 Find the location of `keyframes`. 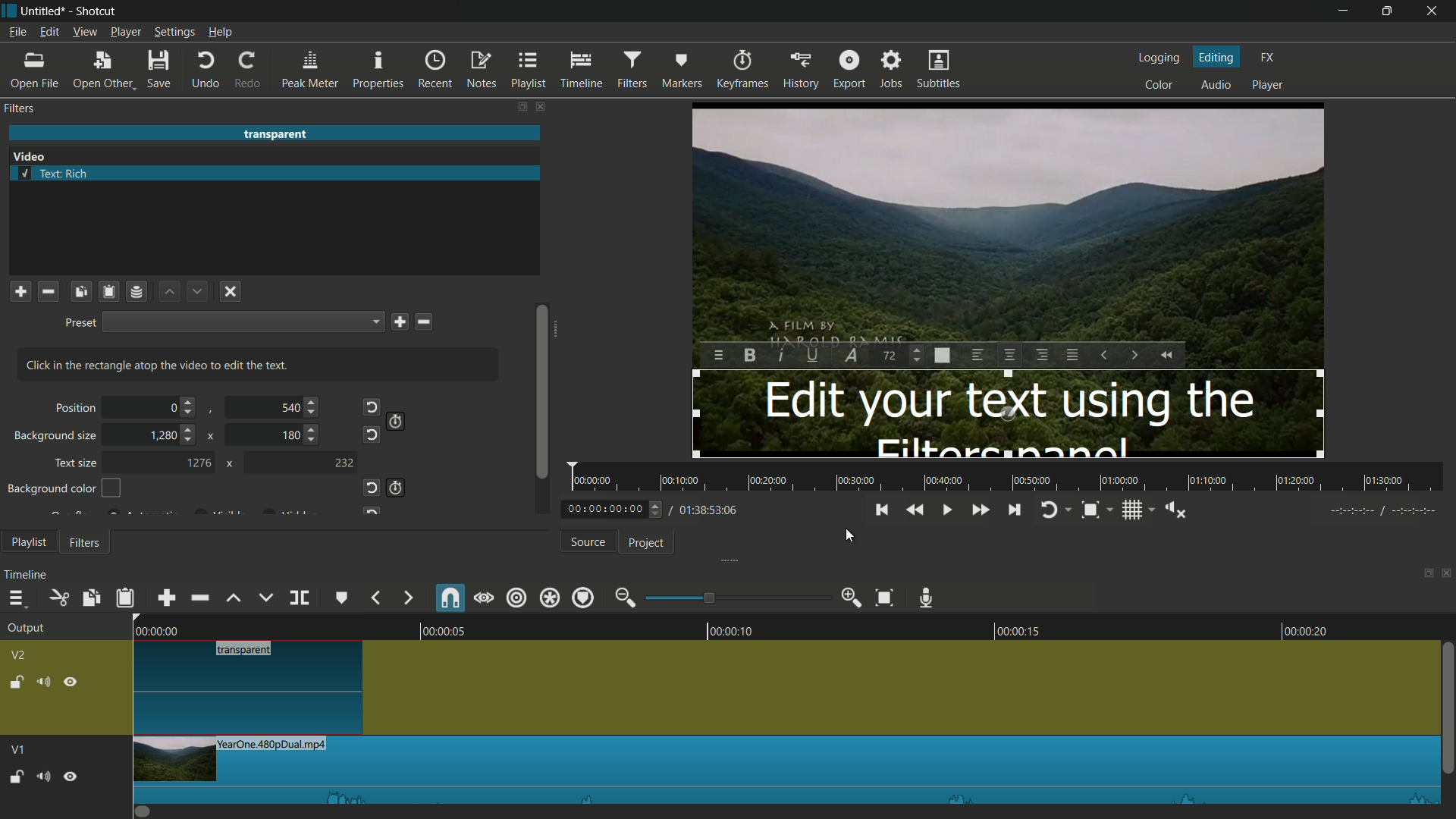

keyframes is located at coordinates (740, 70).